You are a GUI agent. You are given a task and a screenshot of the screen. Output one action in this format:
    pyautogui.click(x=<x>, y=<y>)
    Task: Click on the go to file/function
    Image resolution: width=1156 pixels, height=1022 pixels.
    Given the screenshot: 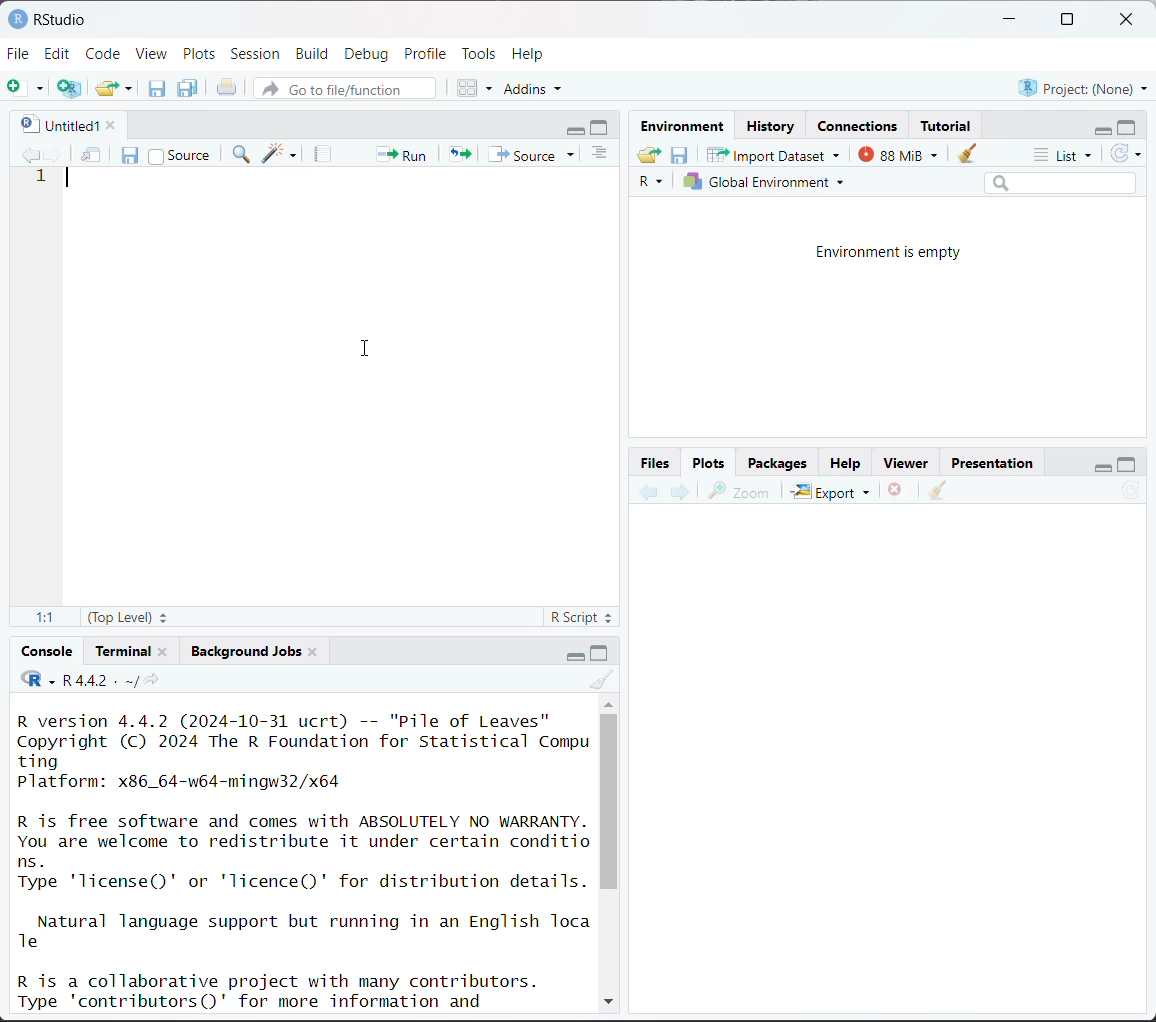 What is the action you would take?
    pyautogui.click(x=343, y=90)
    